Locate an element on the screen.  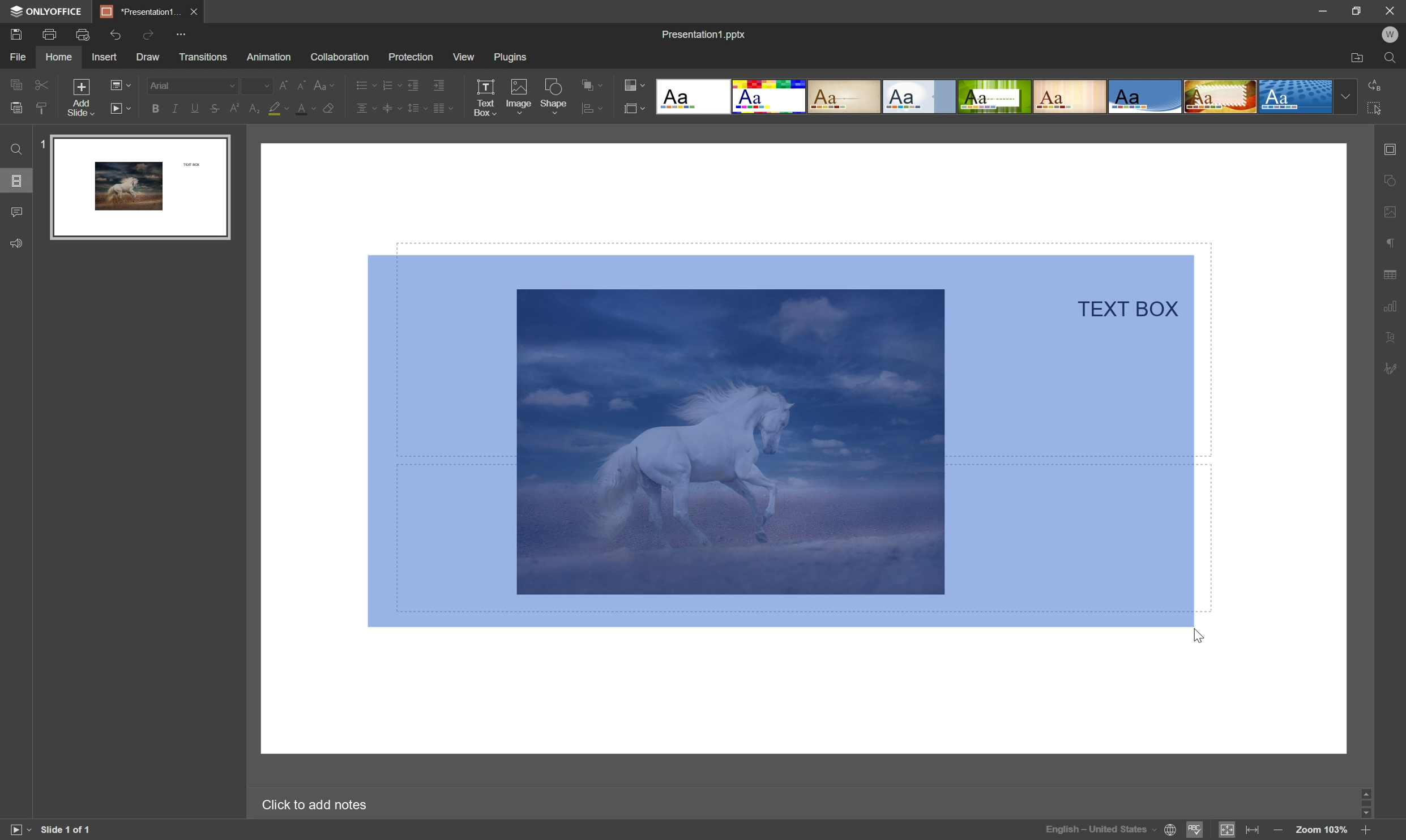
clear style is located at coordinates (331, 109).